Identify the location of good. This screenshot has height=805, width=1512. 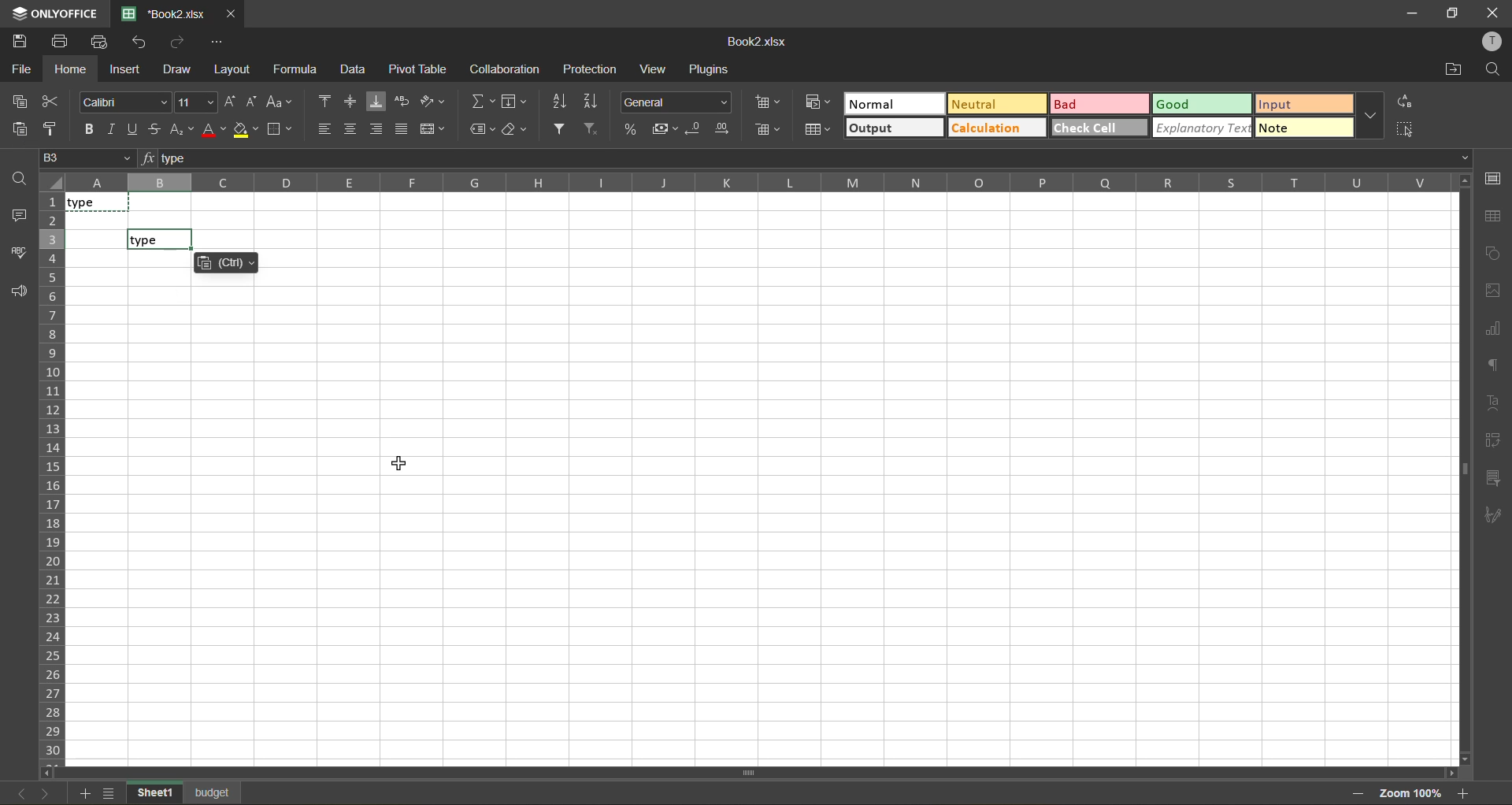
(1202, 103).